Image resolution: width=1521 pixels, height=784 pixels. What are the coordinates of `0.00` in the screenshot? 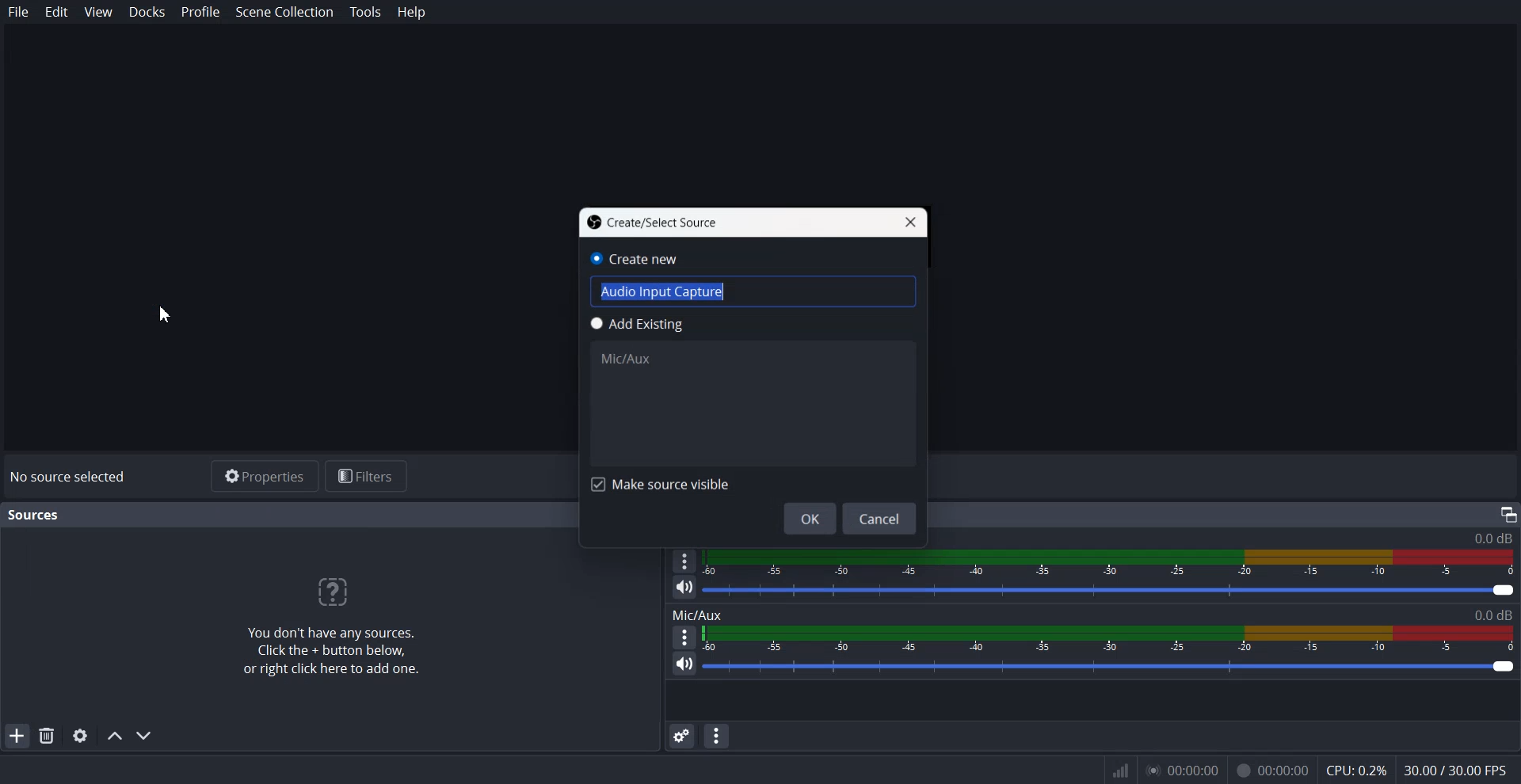 It's located at (1180, 771).